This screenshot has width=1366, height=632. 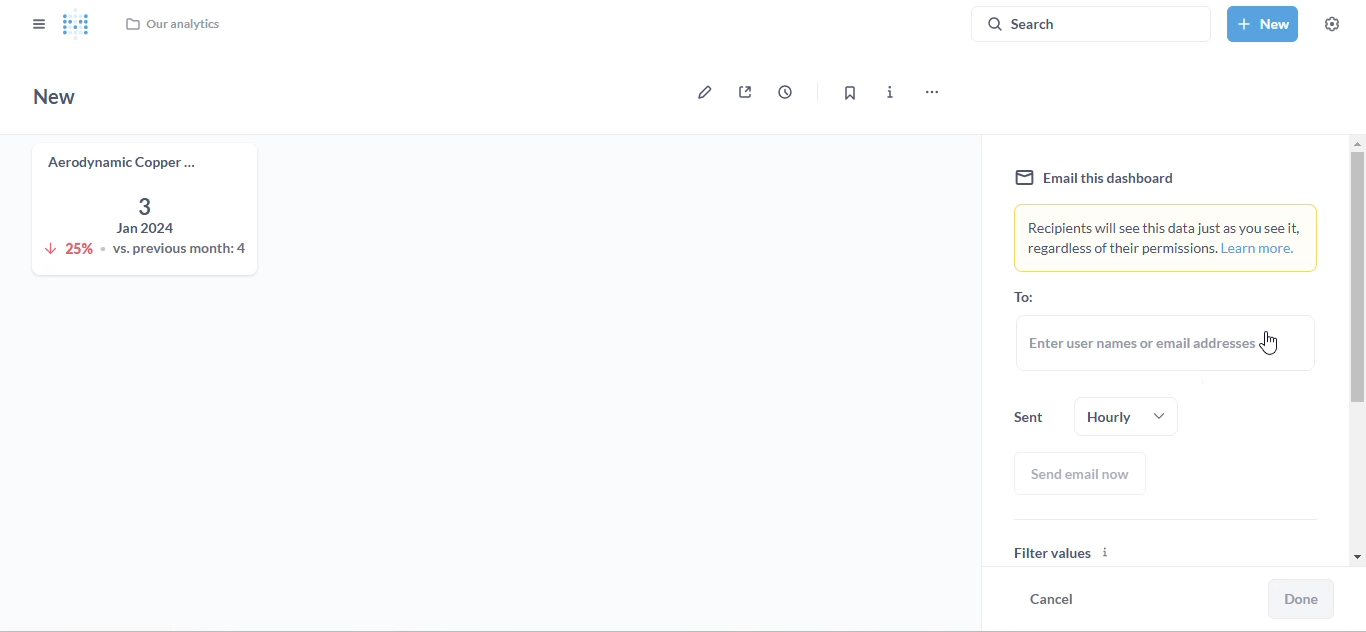 I want to click on to: , so click(x=1024, y=297).